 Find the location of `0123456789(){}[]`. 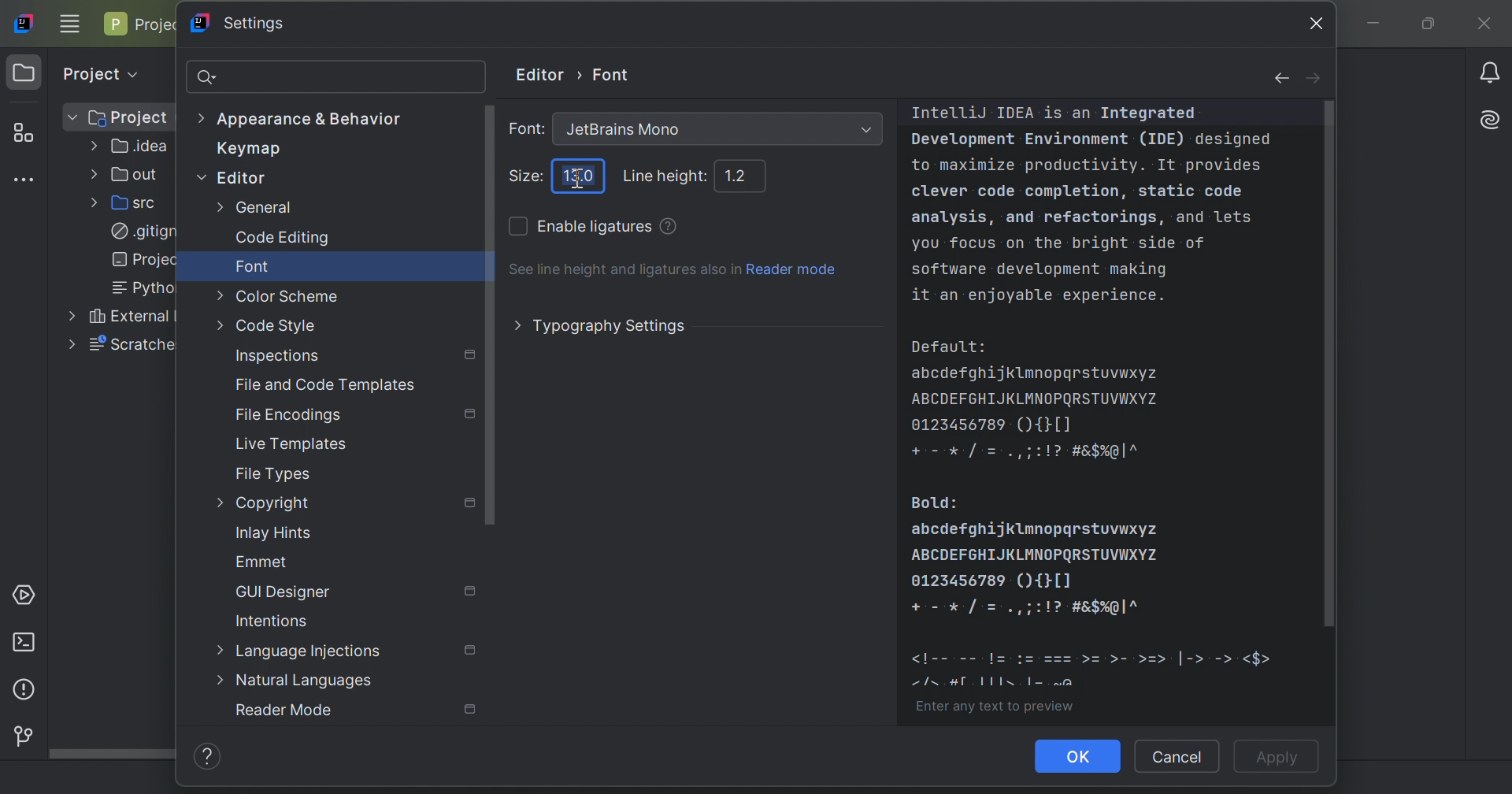

0123456789(){}[] is located at coordinates (996, 581).